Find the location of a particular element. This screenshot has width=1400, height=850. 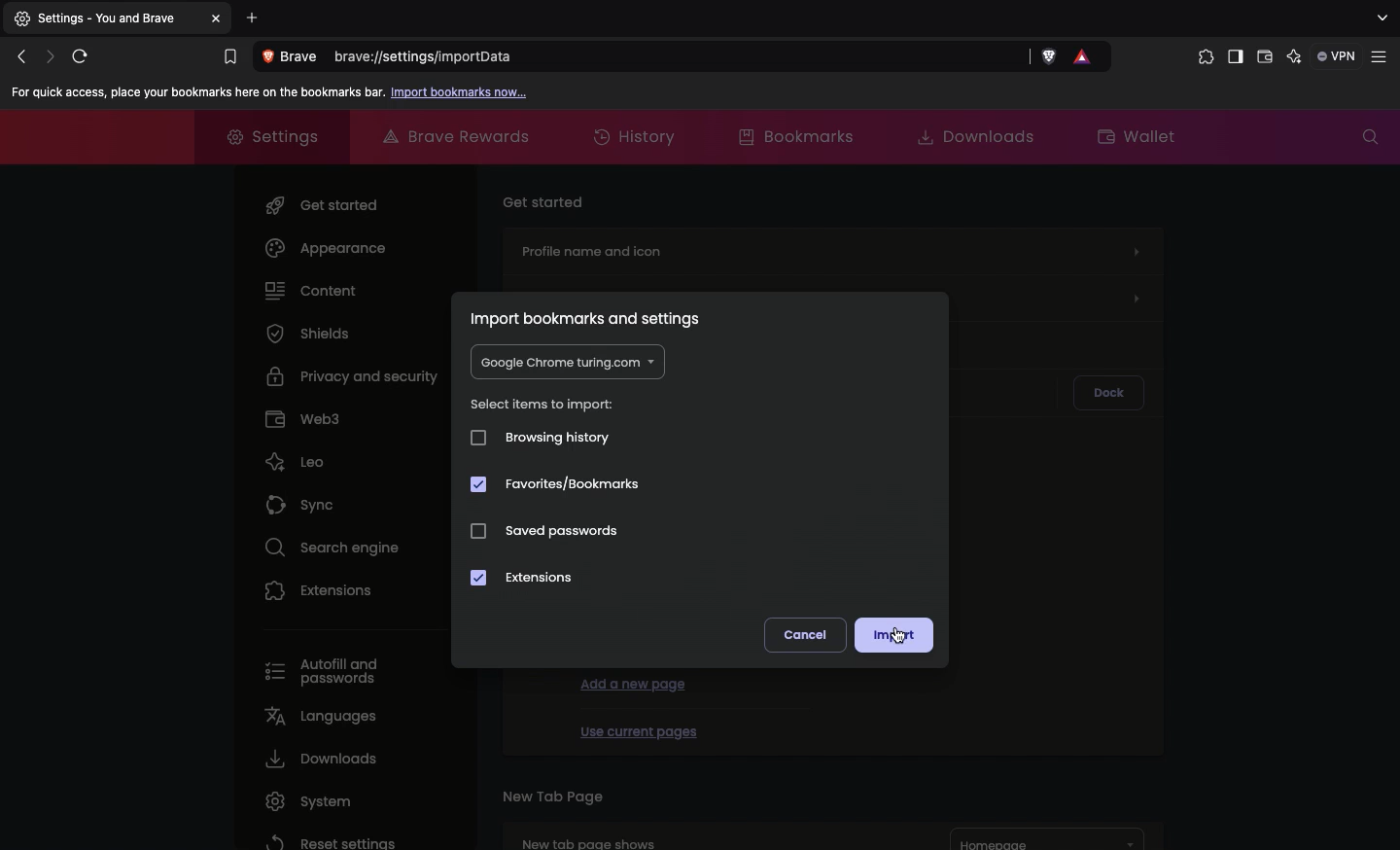

Reset settings is located at coordinates (328, 840).